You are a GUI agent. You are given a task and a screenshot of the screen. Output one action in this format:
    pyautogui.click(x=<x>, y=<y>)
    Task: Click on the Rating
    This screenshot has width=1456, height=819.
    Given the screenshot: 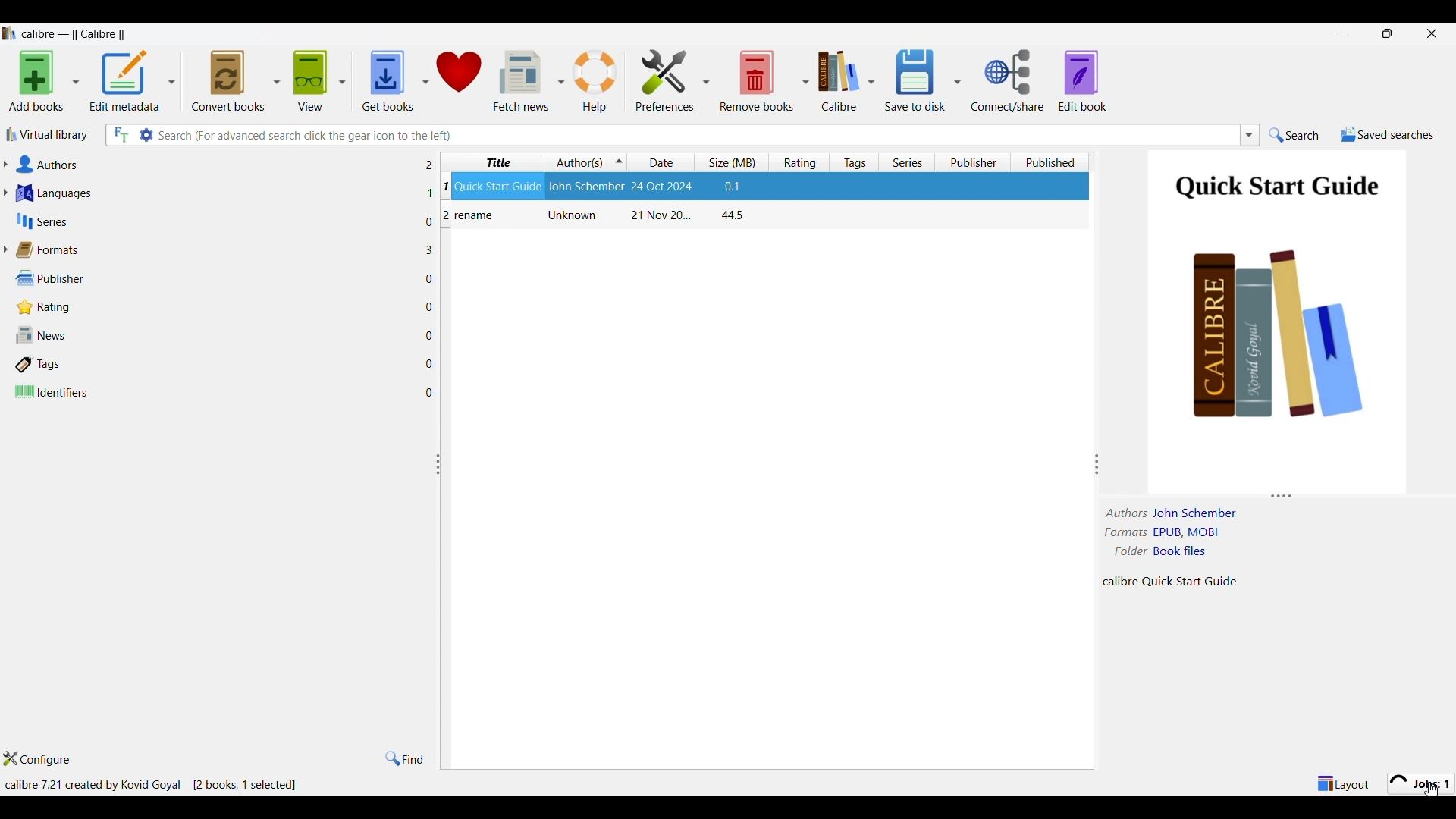 What is the action you would take?
    pyautogui.click(x=215, y=307)
    